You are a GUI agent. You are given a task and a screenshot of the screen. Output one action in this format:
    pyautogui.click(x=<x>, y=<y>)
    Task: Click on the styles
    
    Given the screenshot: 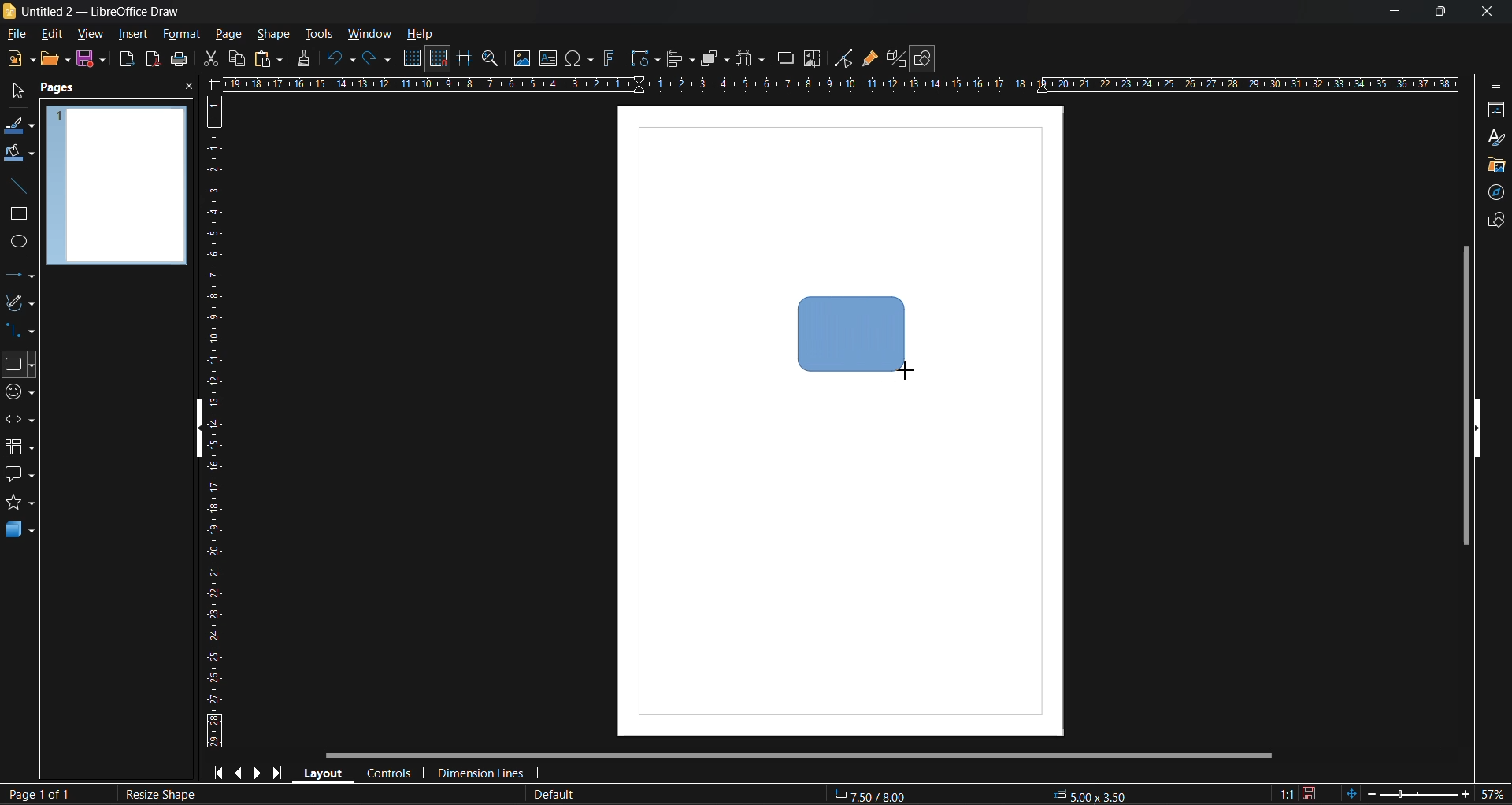 What is the action you would take?
    pyautogui.click(x=1497, y=139)
    